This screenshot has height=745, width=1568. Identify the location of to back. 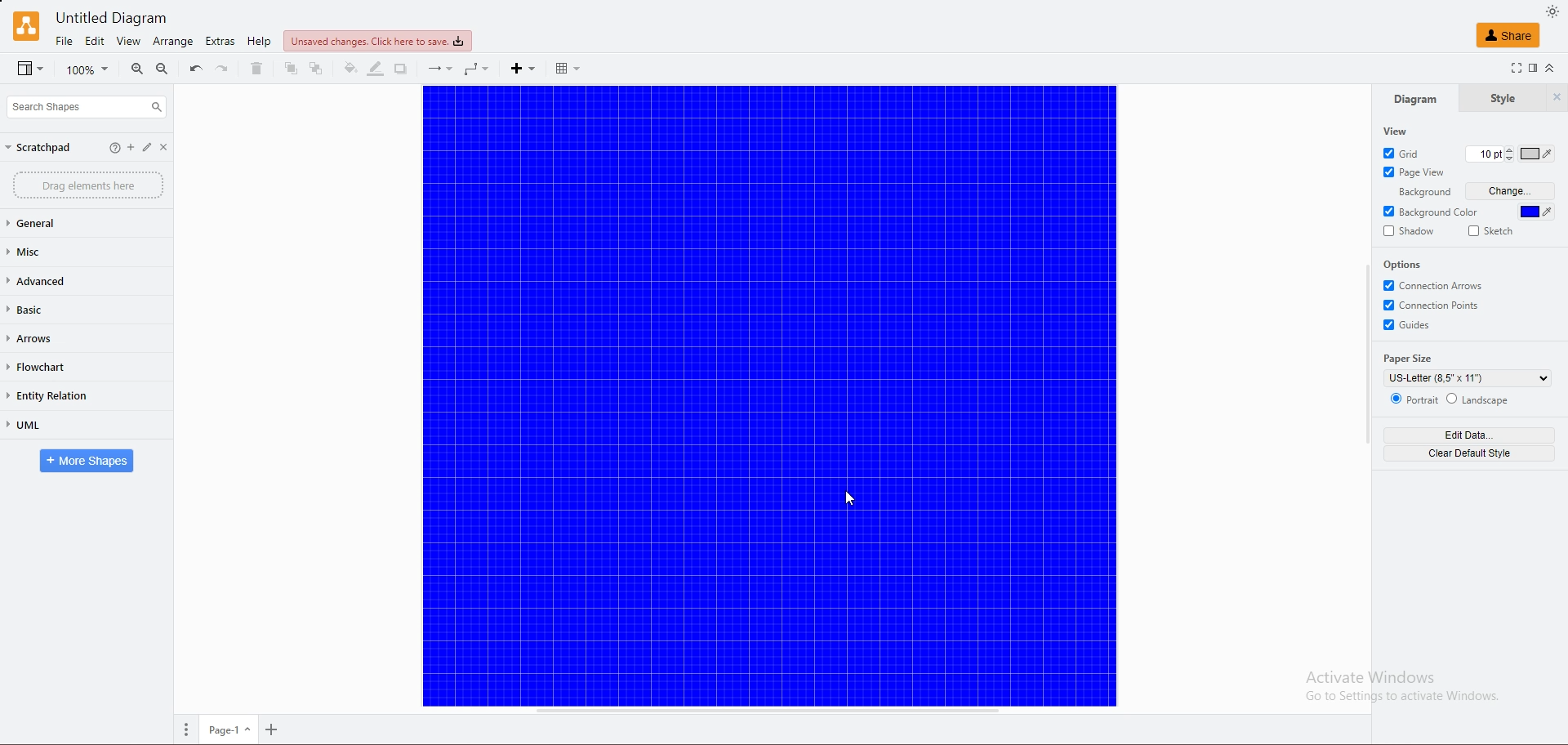
(318, 69).